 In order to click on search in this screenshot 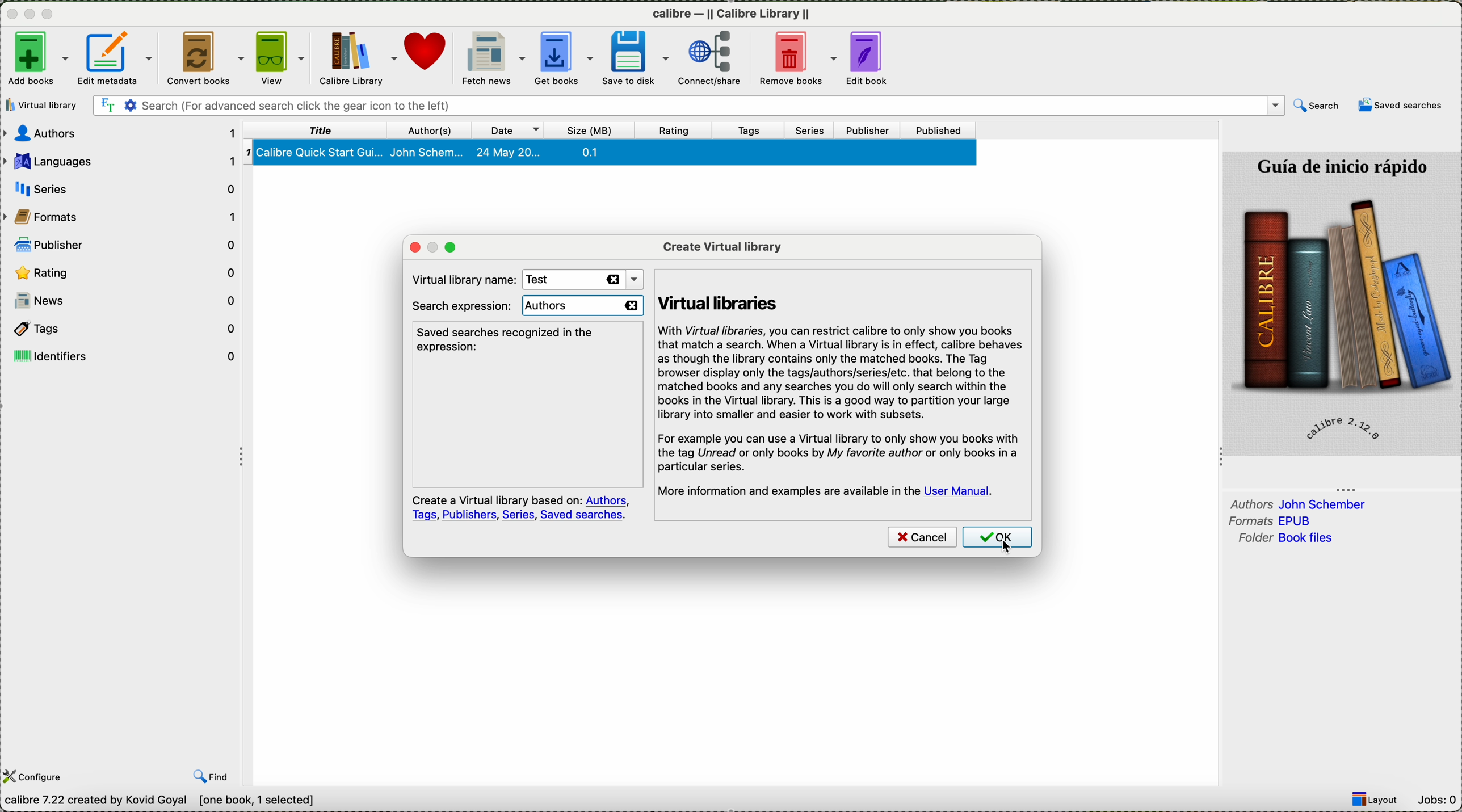, I will do `click(687, 106)`.